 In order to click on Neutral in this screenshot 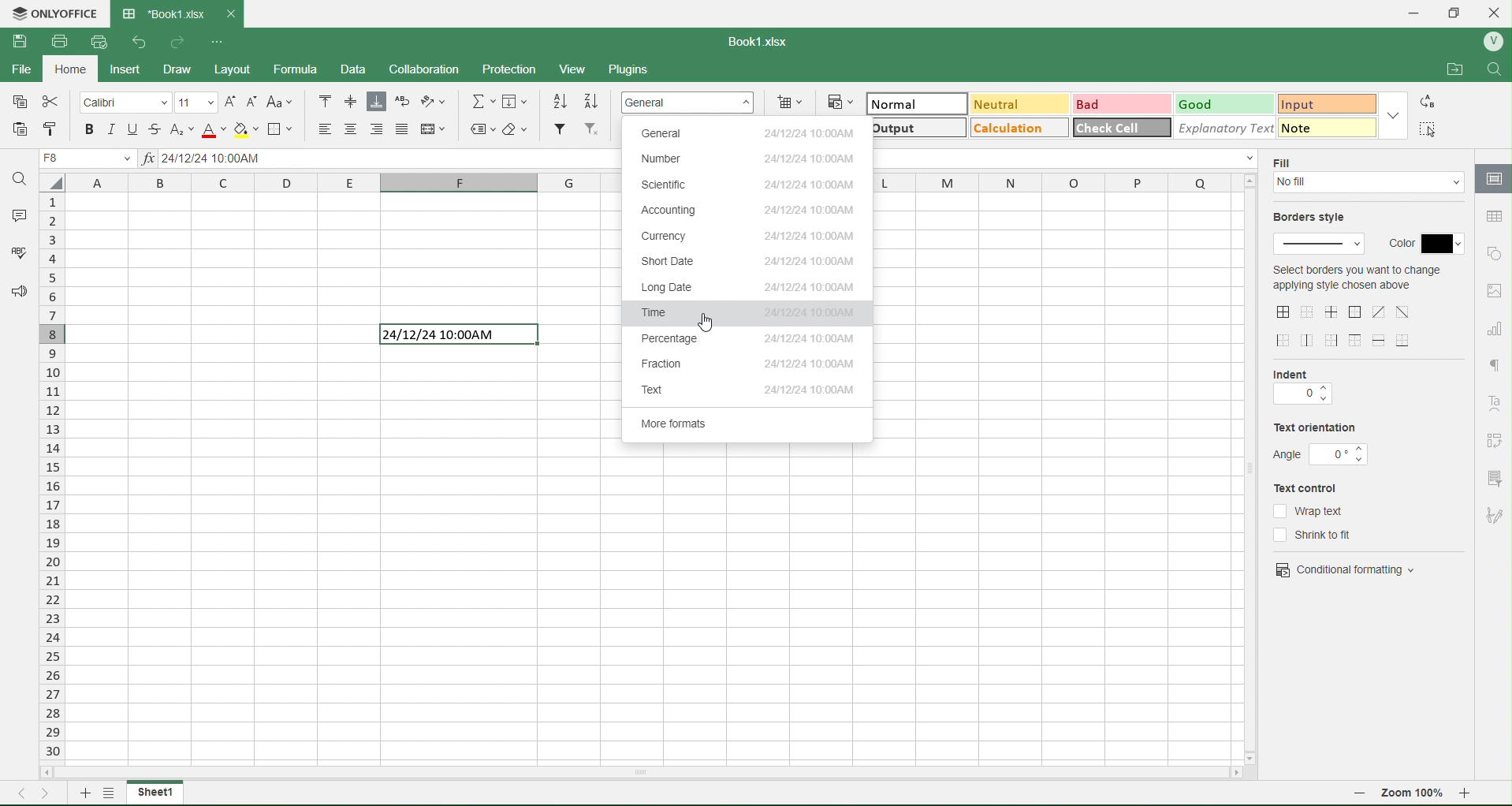, I will do `click(996, 104)`.